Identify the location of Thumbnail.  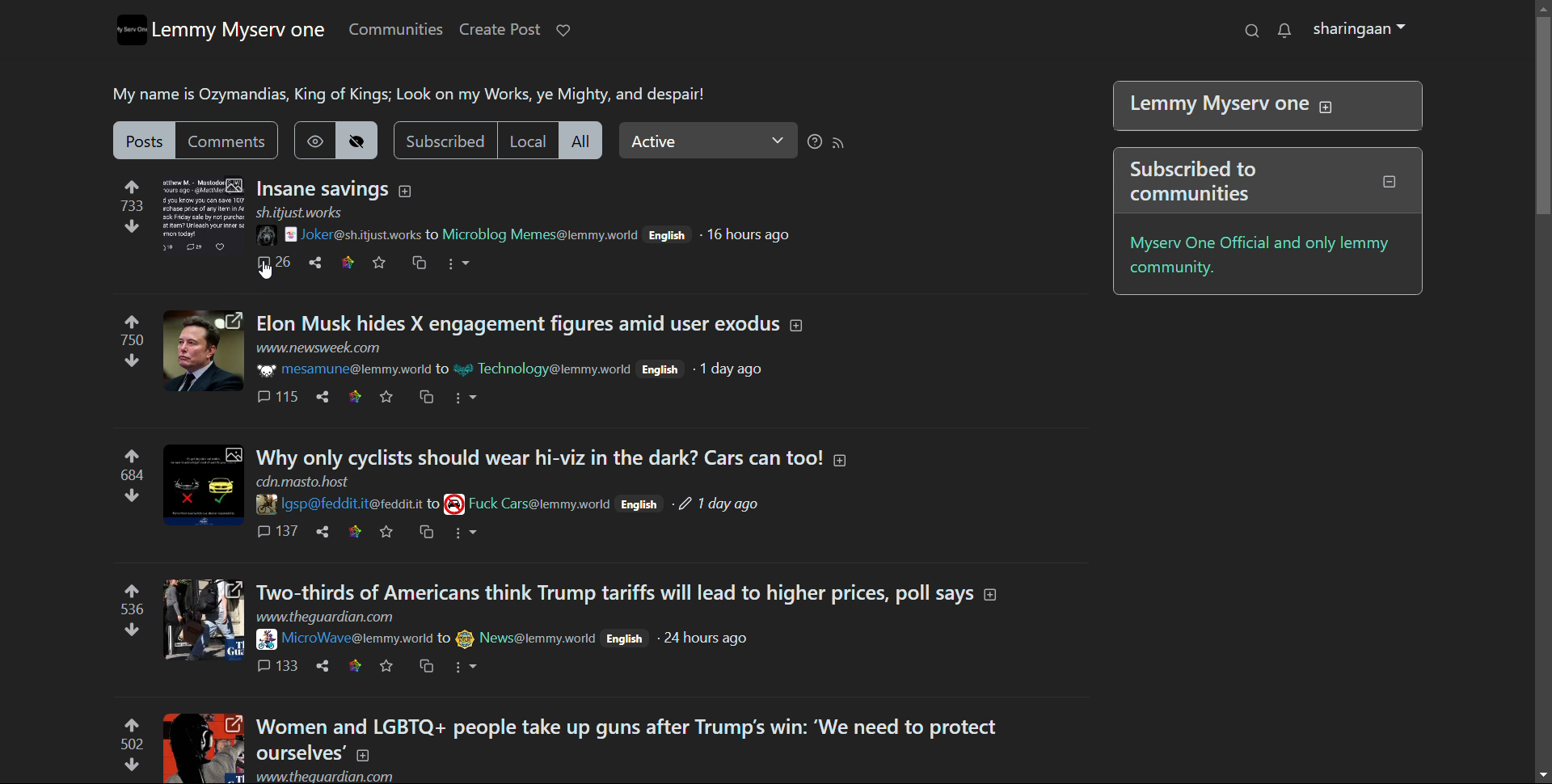
(203, 351).